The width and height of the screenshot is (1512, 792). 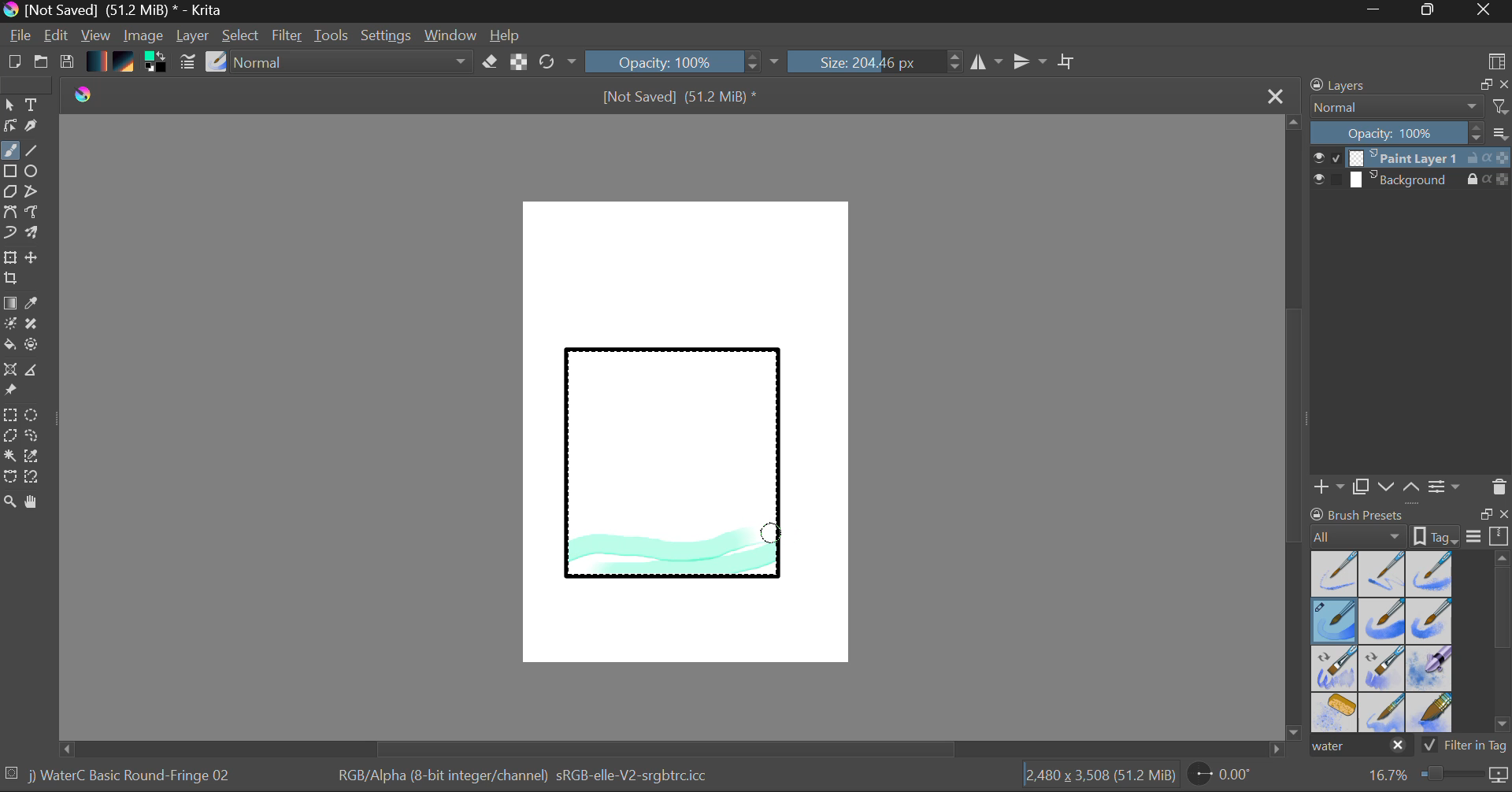 What do you see at coordinates (31, 213) in the screenshot?
I see `Freehand Path Tool` at bounding box center [31, 213].